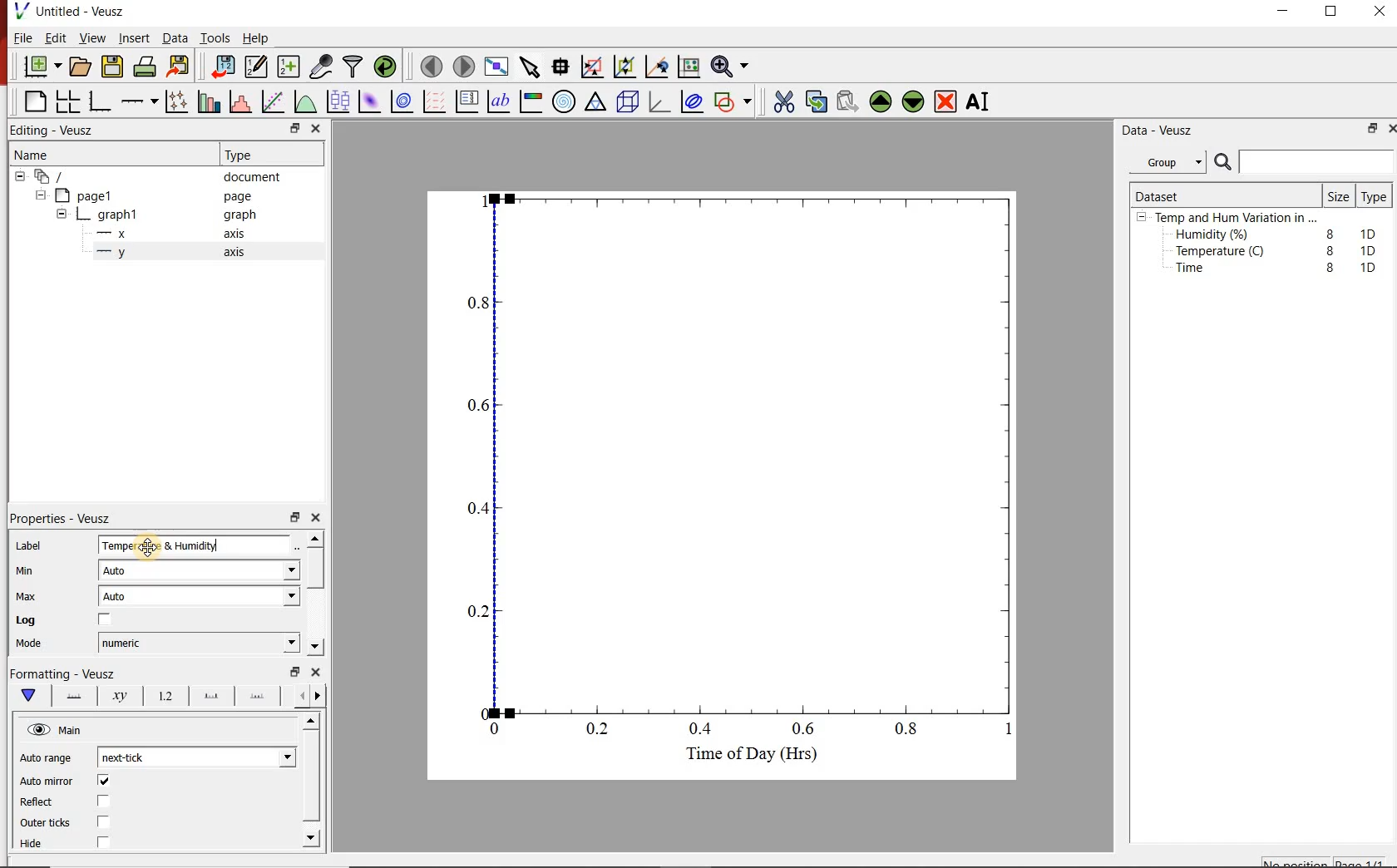 This screenshot has height=868, width=1397. What do you see at coordinates (77, 621) in the screenshot?
I see `Log` at bounding box center [77, 621].